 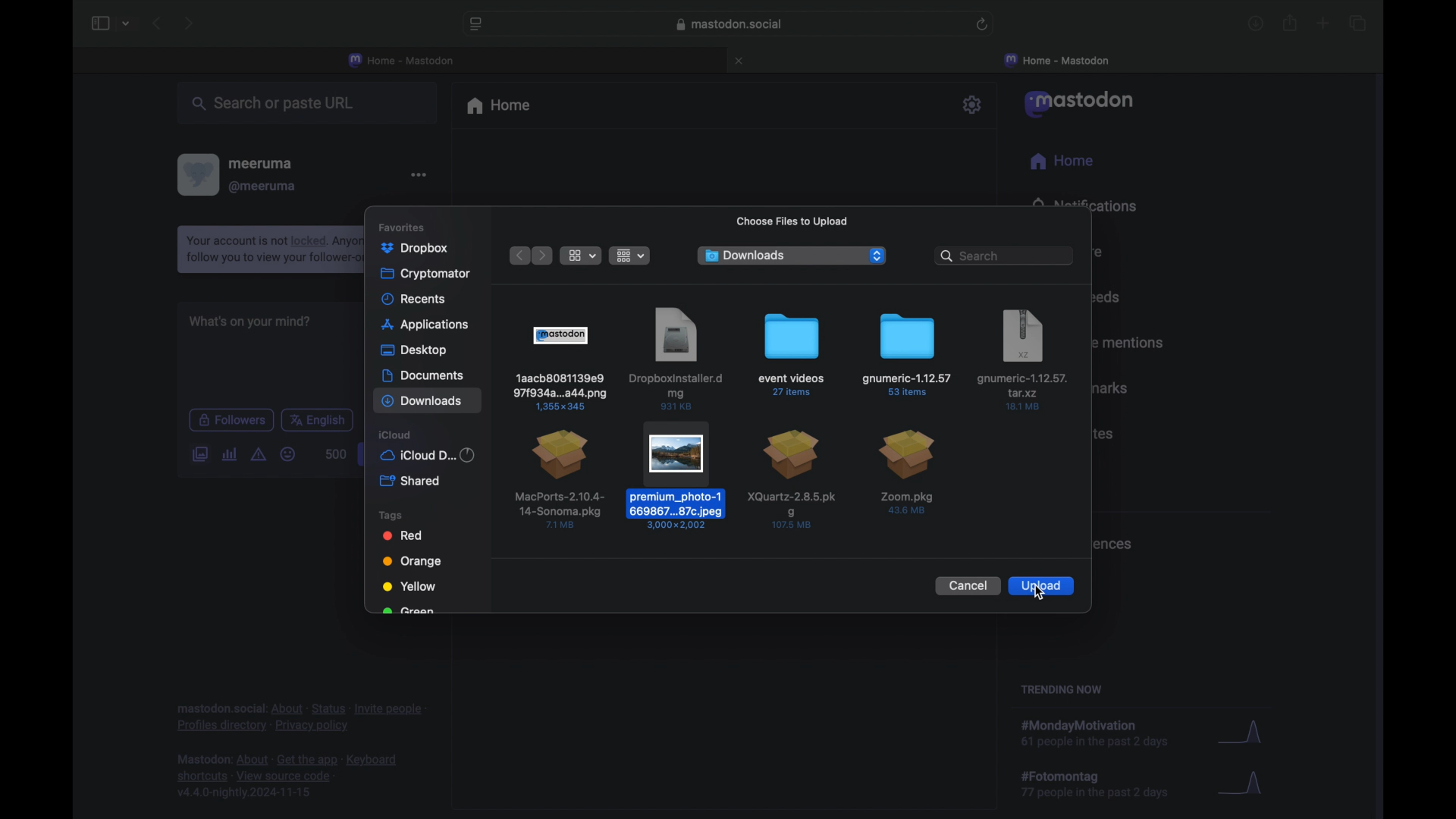 What do you see at coordinates (1045, 585) in the screenshot?
I see `upload` at bounding box center [1045, 585].